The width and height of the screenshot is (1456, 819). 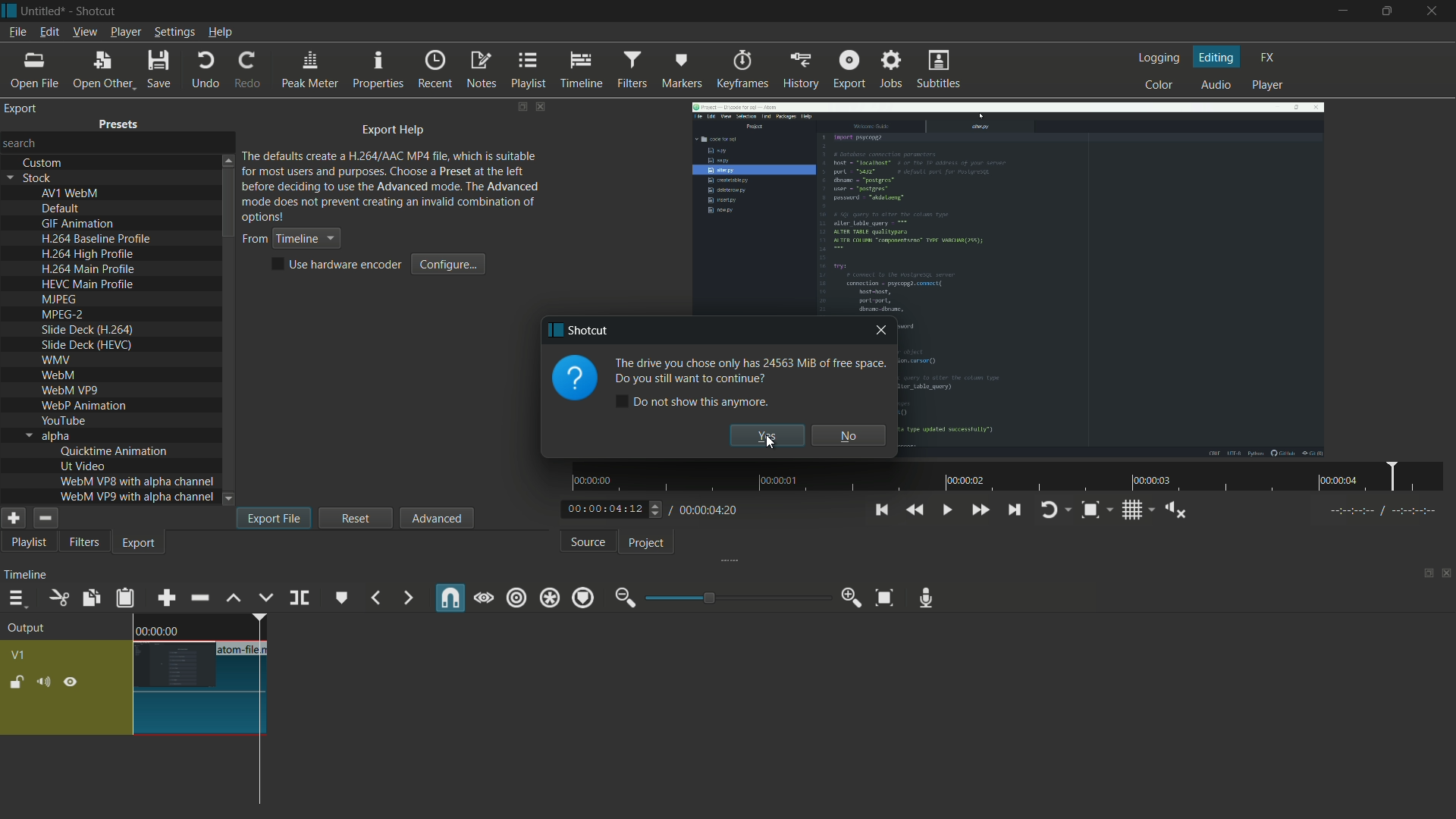 I want to click on properties, so click(x=379, y=71).